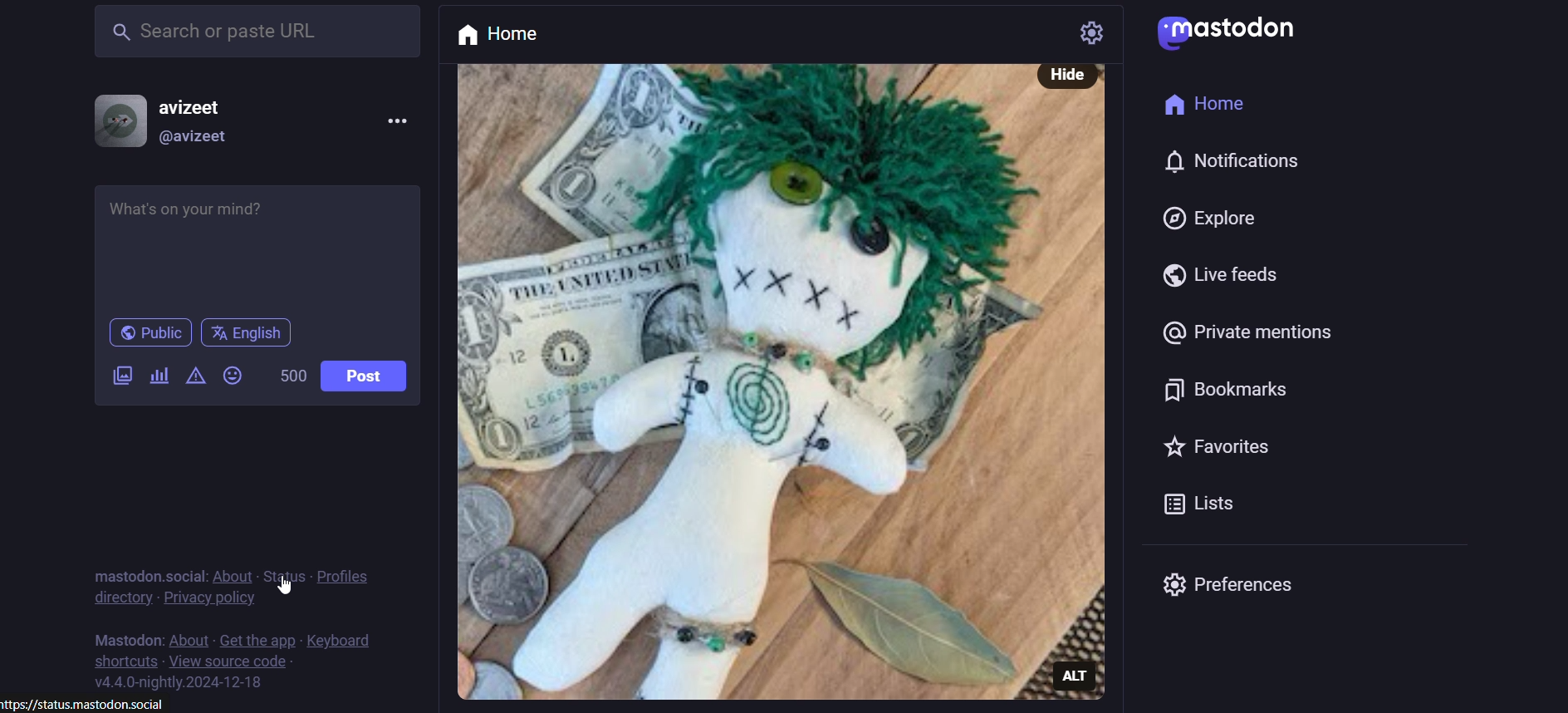 The height and width of the screenshot is (713, 1568). I want to click on language, so click(251, 333).